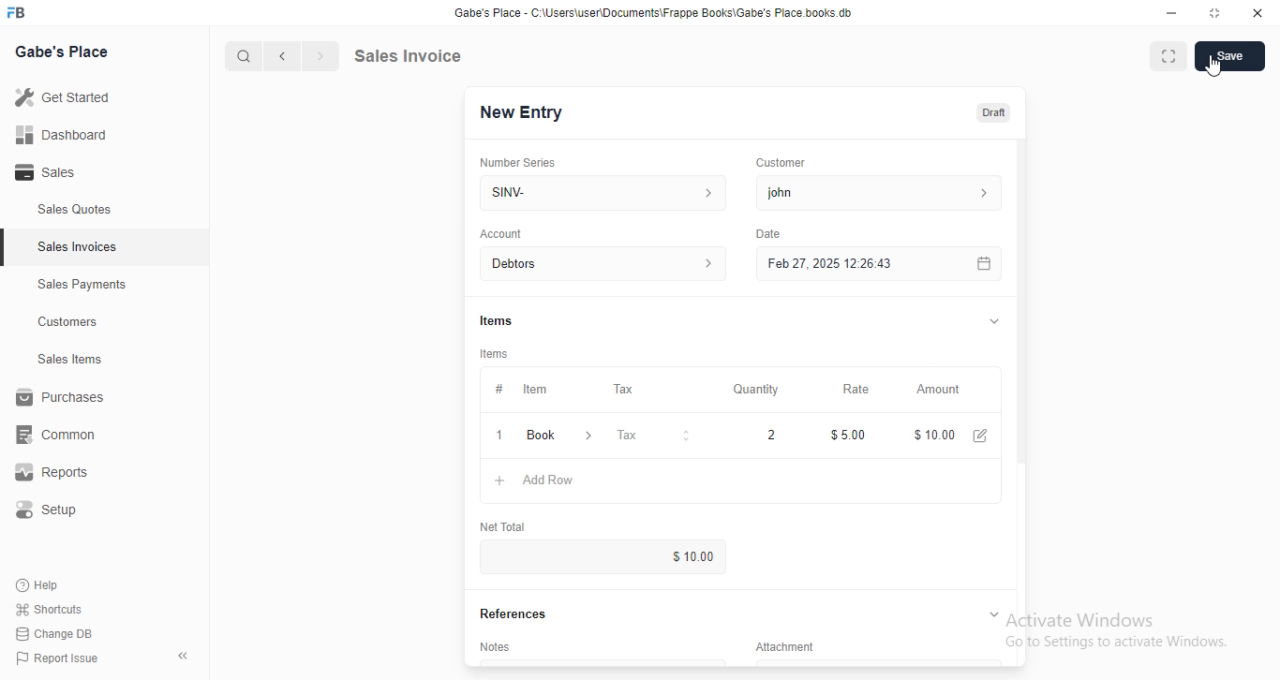  I want to click on Tax, so click(628, 388).